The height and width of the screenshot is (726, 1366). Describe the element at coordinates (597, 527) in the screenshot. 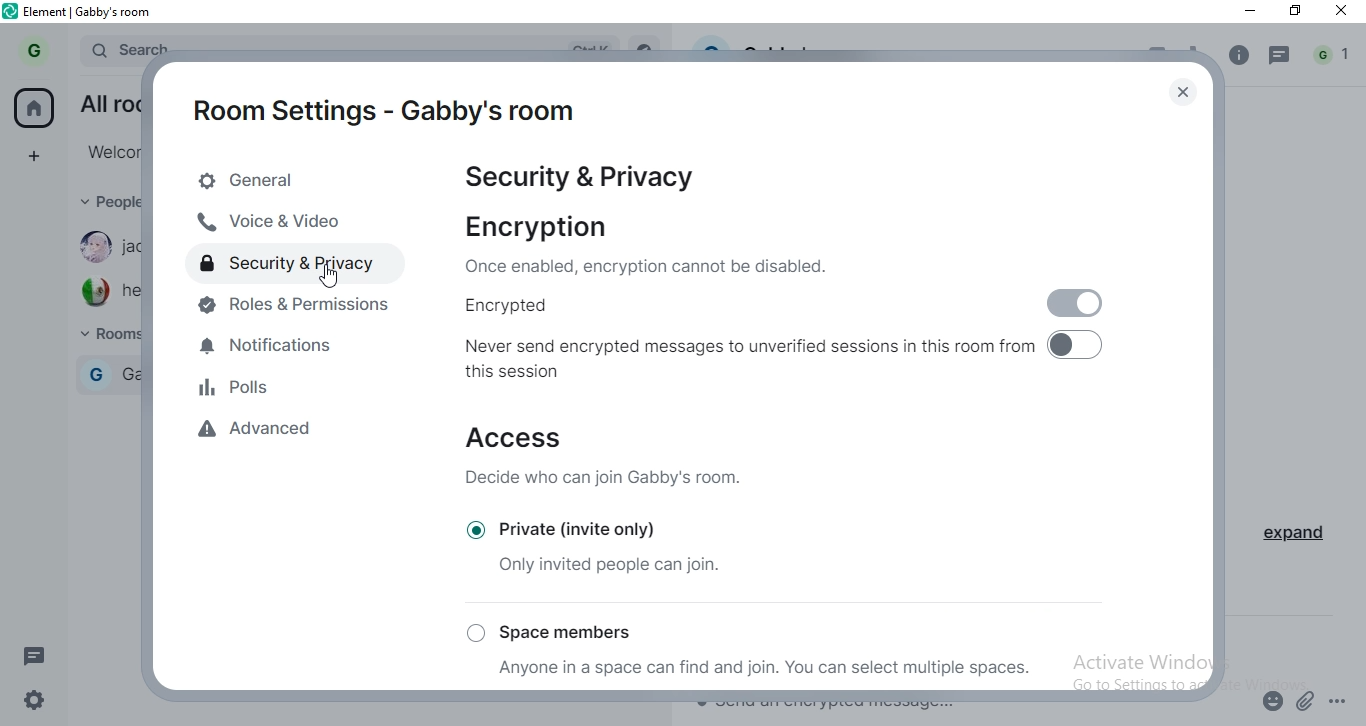

I see ` private (invite only)` at that location.